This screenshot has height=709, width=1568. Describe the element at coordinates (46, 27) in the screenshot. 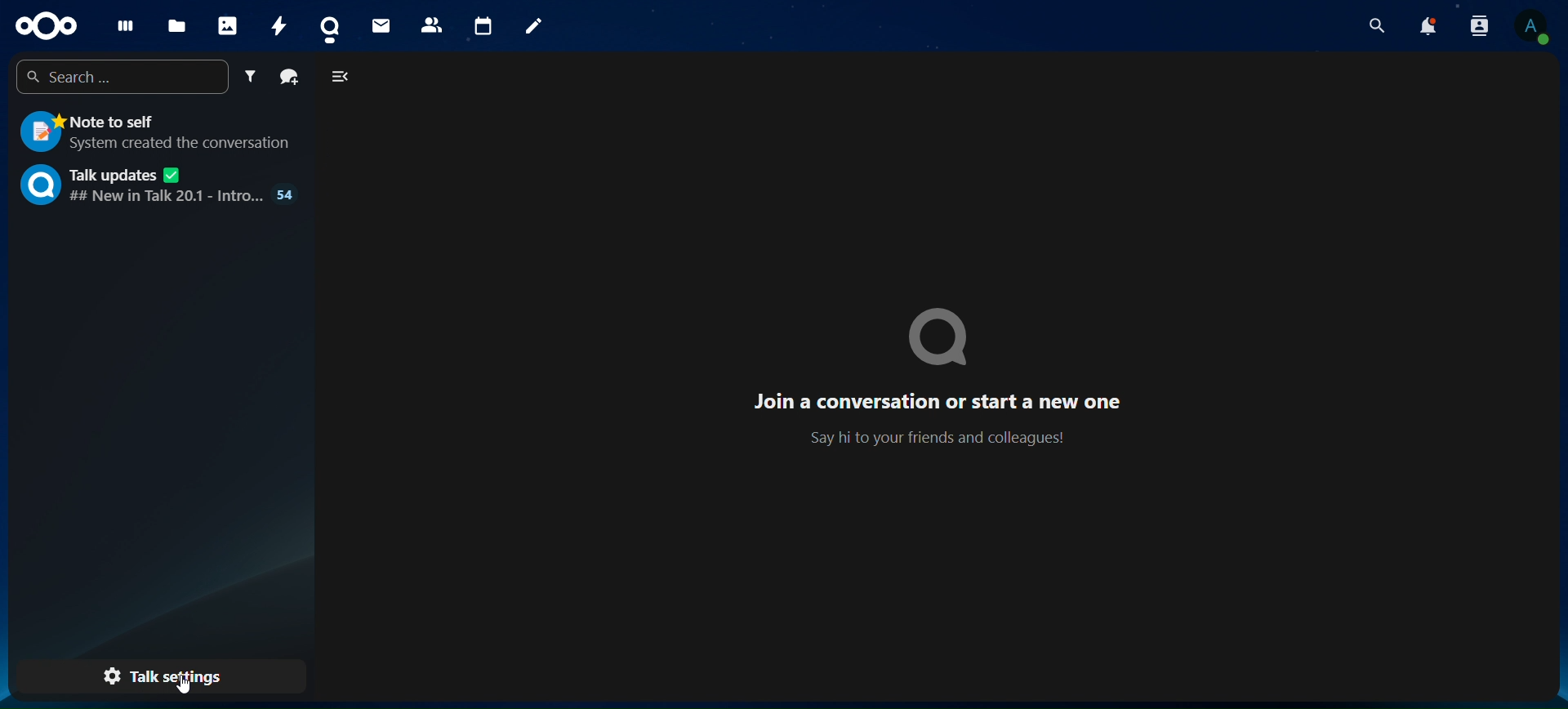

I see `icon` at that location.